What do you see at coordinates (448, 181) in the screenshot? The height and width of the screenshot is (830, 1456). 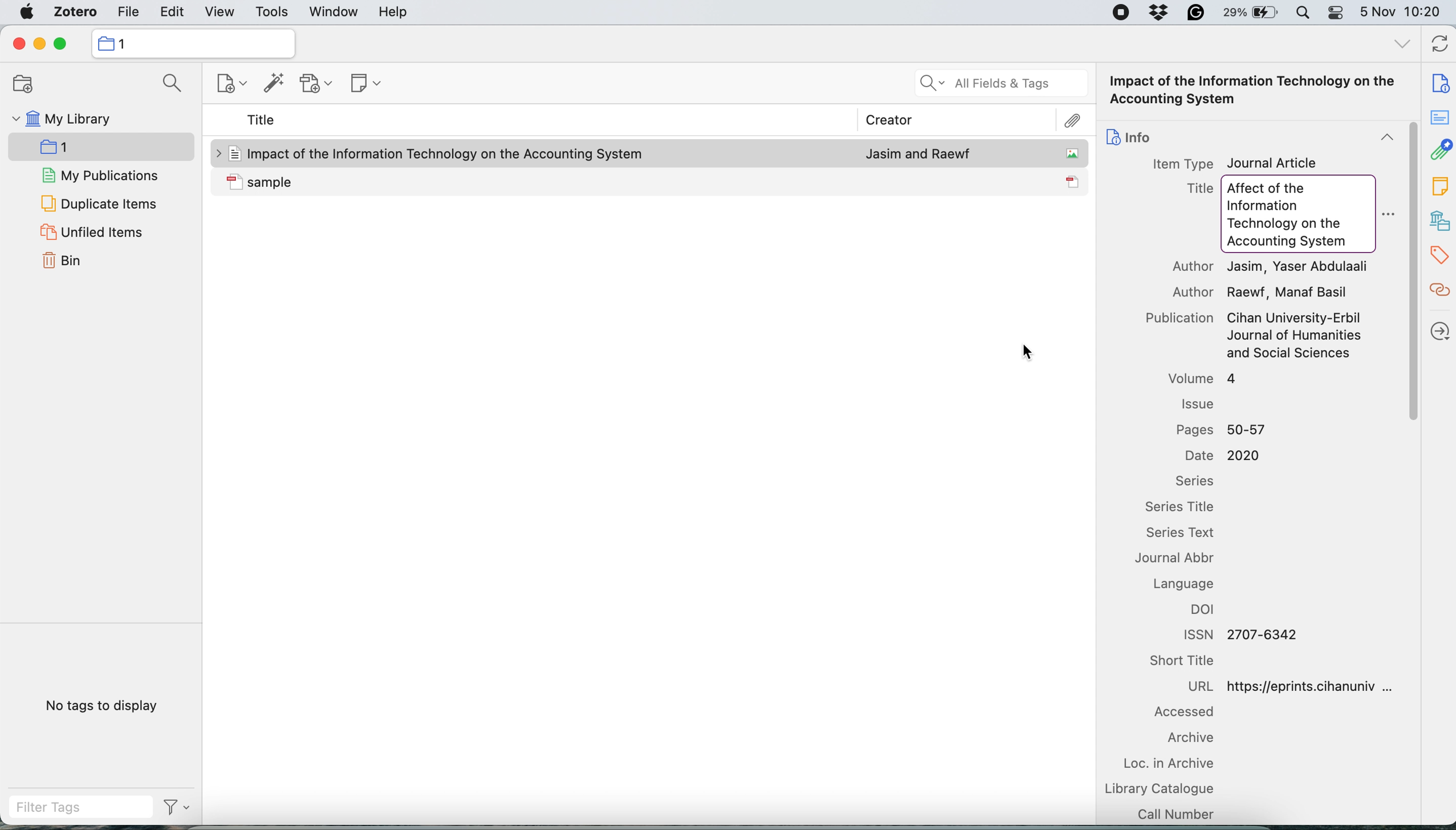 I see `sample` at bounding box center [448, 181].